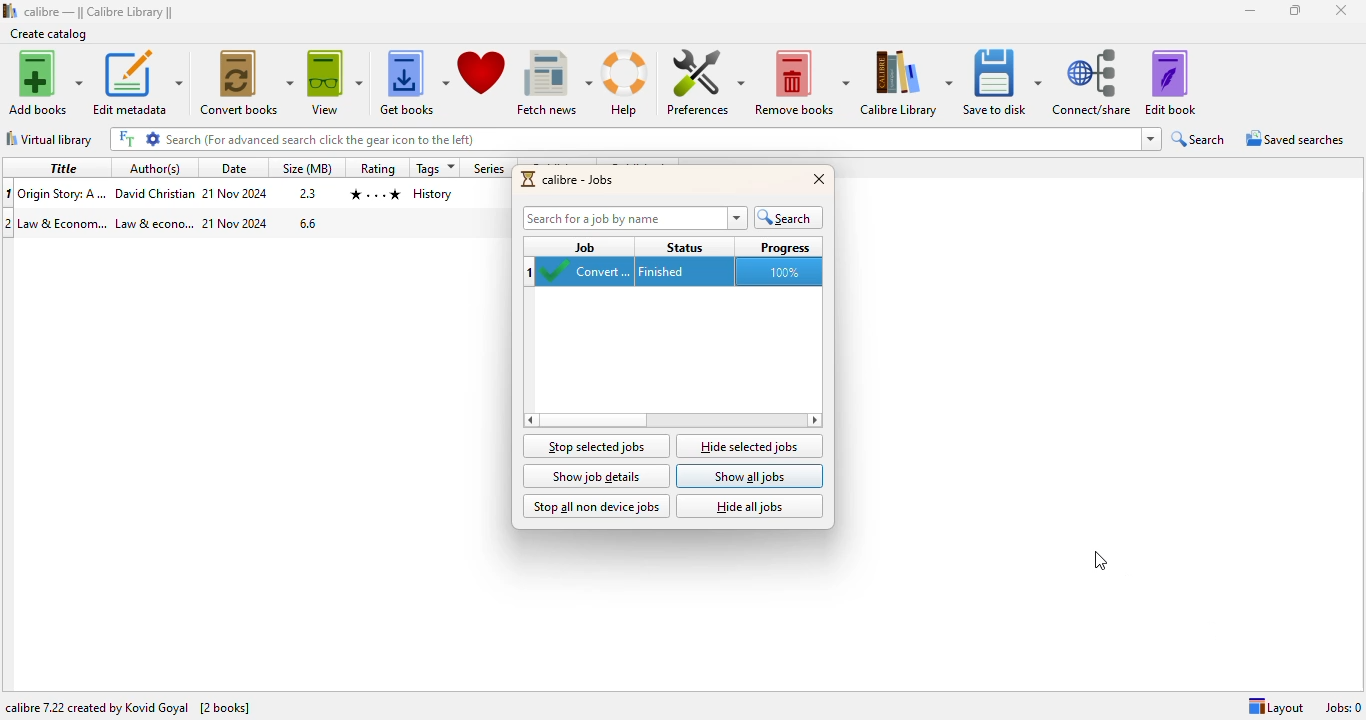 The width and height of the screenshot is (1366, 720). Describe the element at coordinates (377, 167) in the screenshot. I see `rating` at that location.